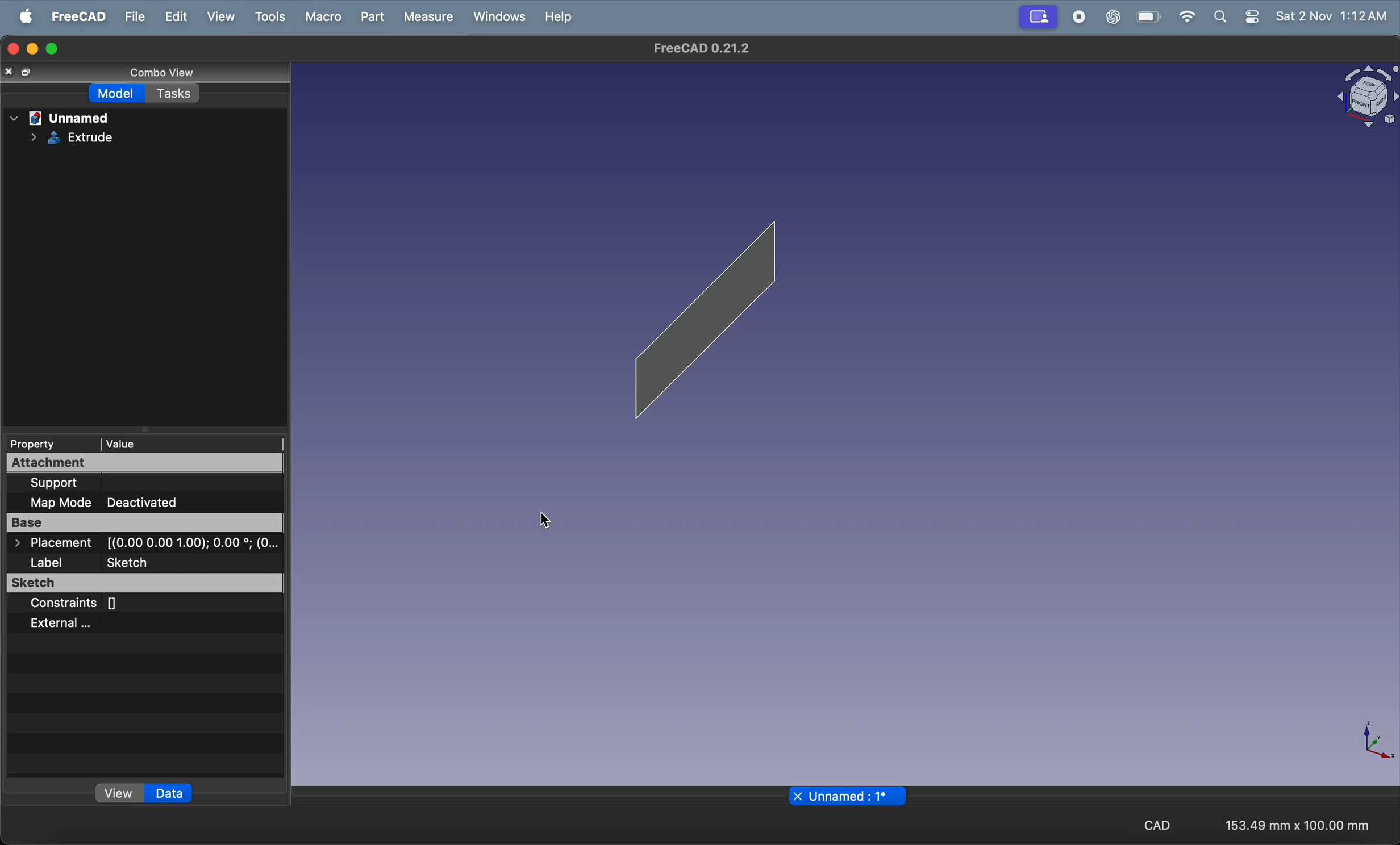 The width and height of the screenshot is (1400, 845). What do you see at coordinates (1149, 17) in the screenshot?
I see `battery` at bounding box center [1149, 17].